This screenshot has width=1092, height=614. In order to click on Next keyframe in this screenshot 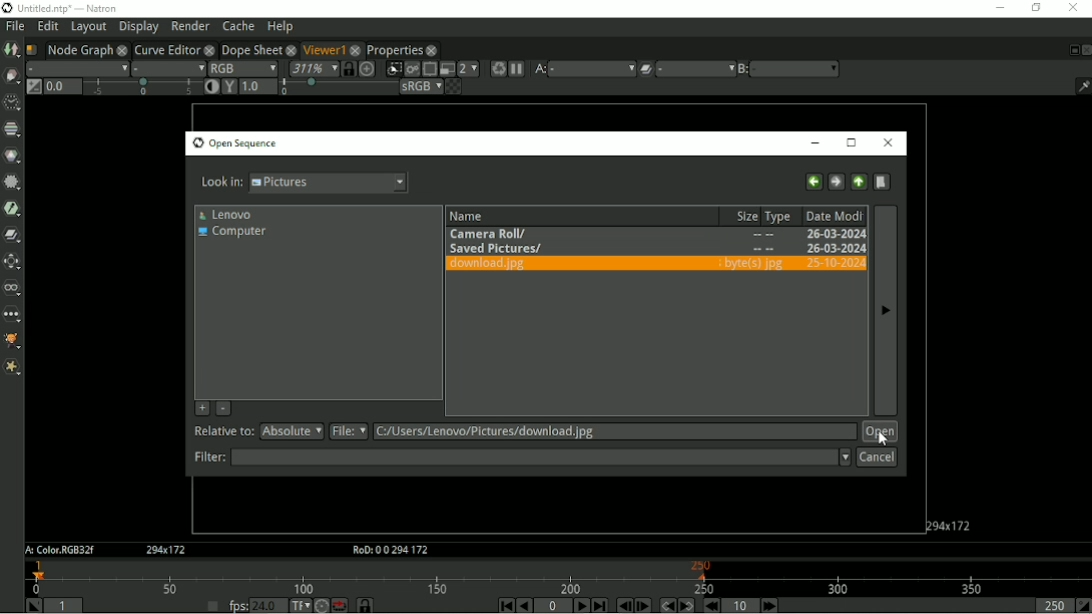, I will do `click(687, 605)`.